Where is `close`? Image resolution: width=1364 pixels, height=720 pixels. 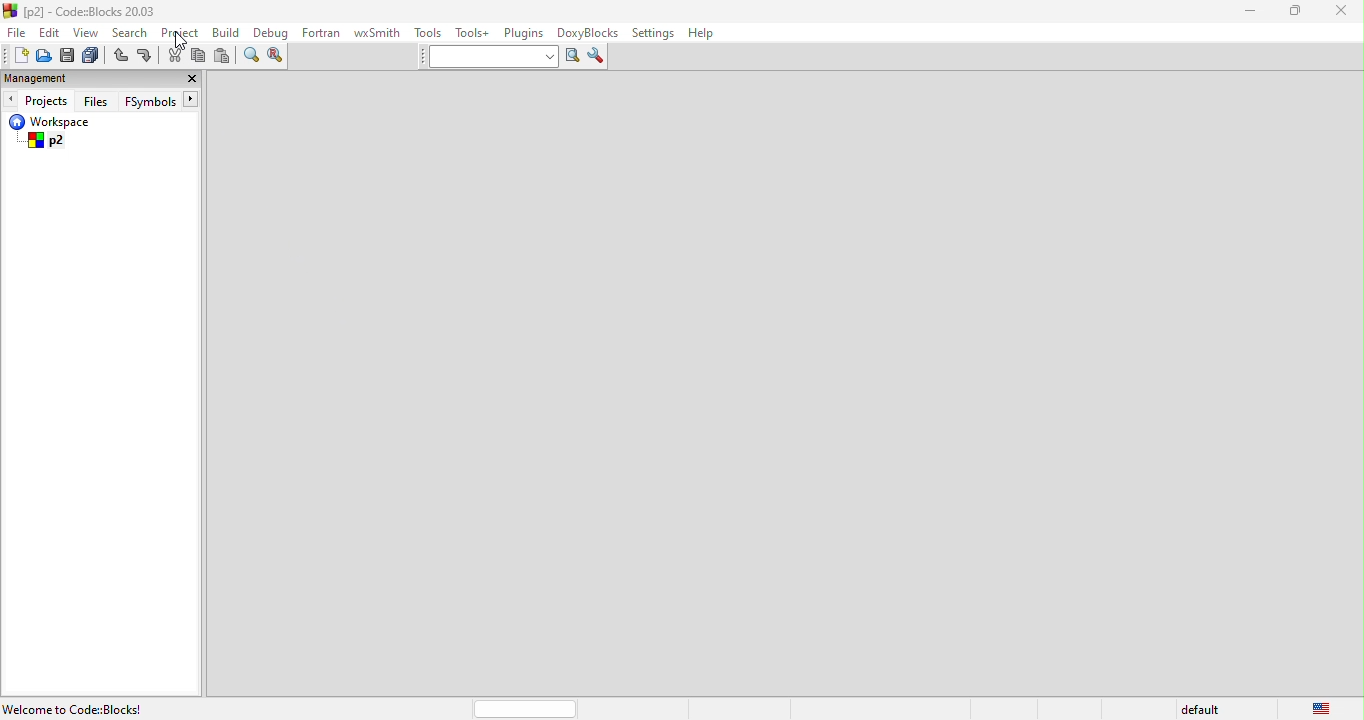
close is located at coordinates (187, 80).